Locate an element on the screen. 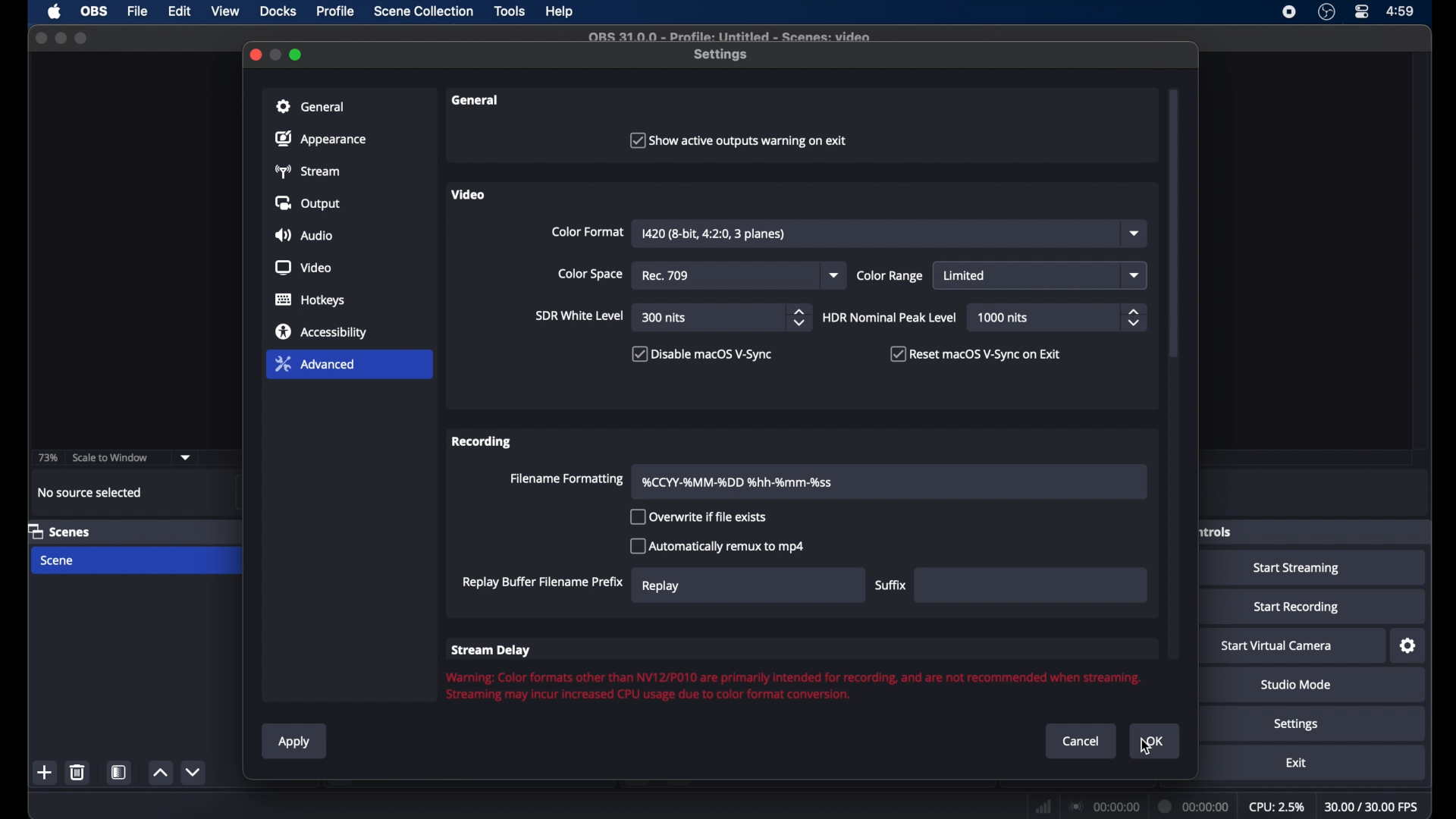 The width and height of the screenshot is (1456, 819). no source selected is located at coordinates (89, 491).